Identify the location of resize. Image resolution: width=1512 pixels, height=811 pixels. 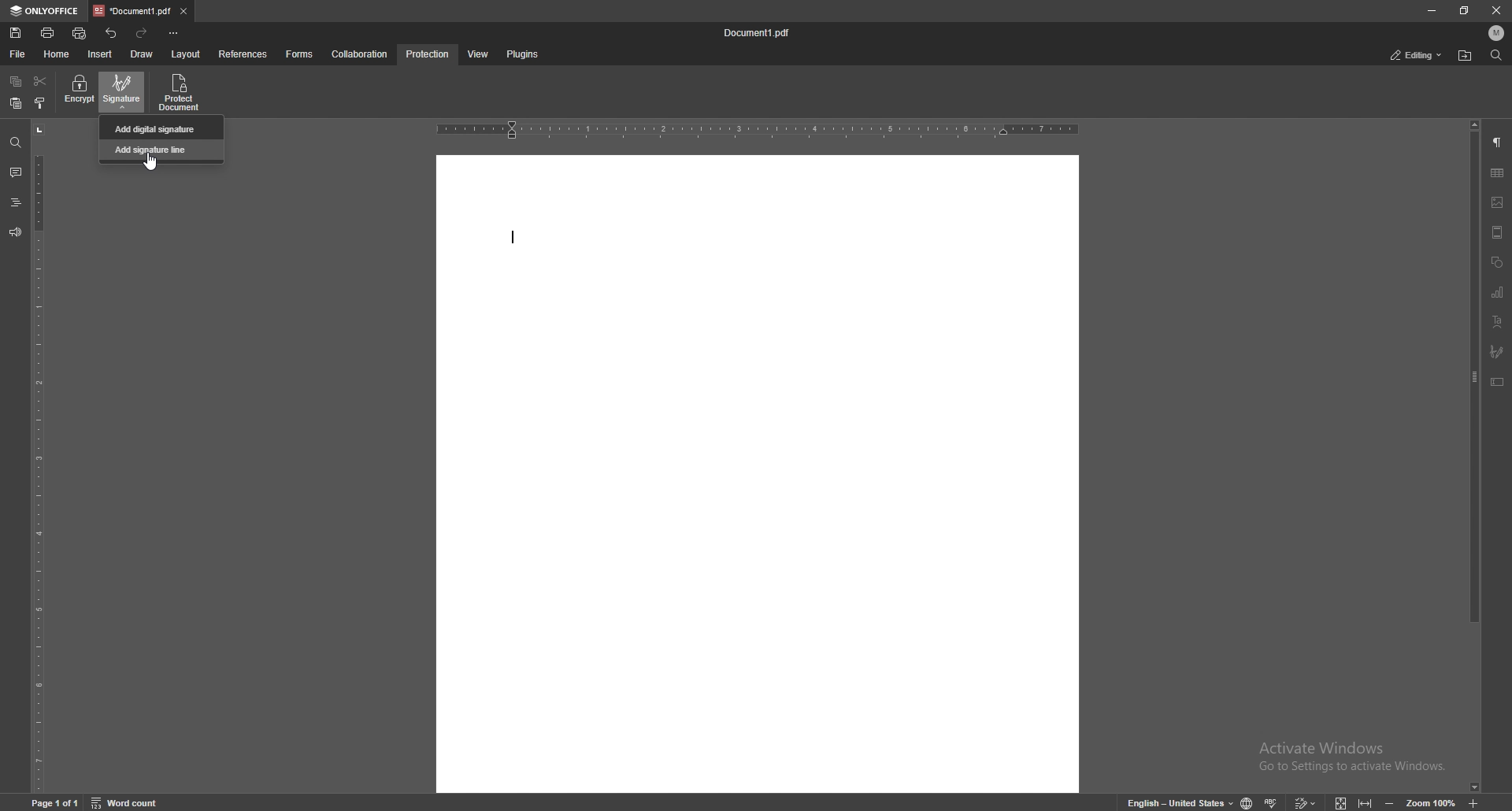
(1466, 10).